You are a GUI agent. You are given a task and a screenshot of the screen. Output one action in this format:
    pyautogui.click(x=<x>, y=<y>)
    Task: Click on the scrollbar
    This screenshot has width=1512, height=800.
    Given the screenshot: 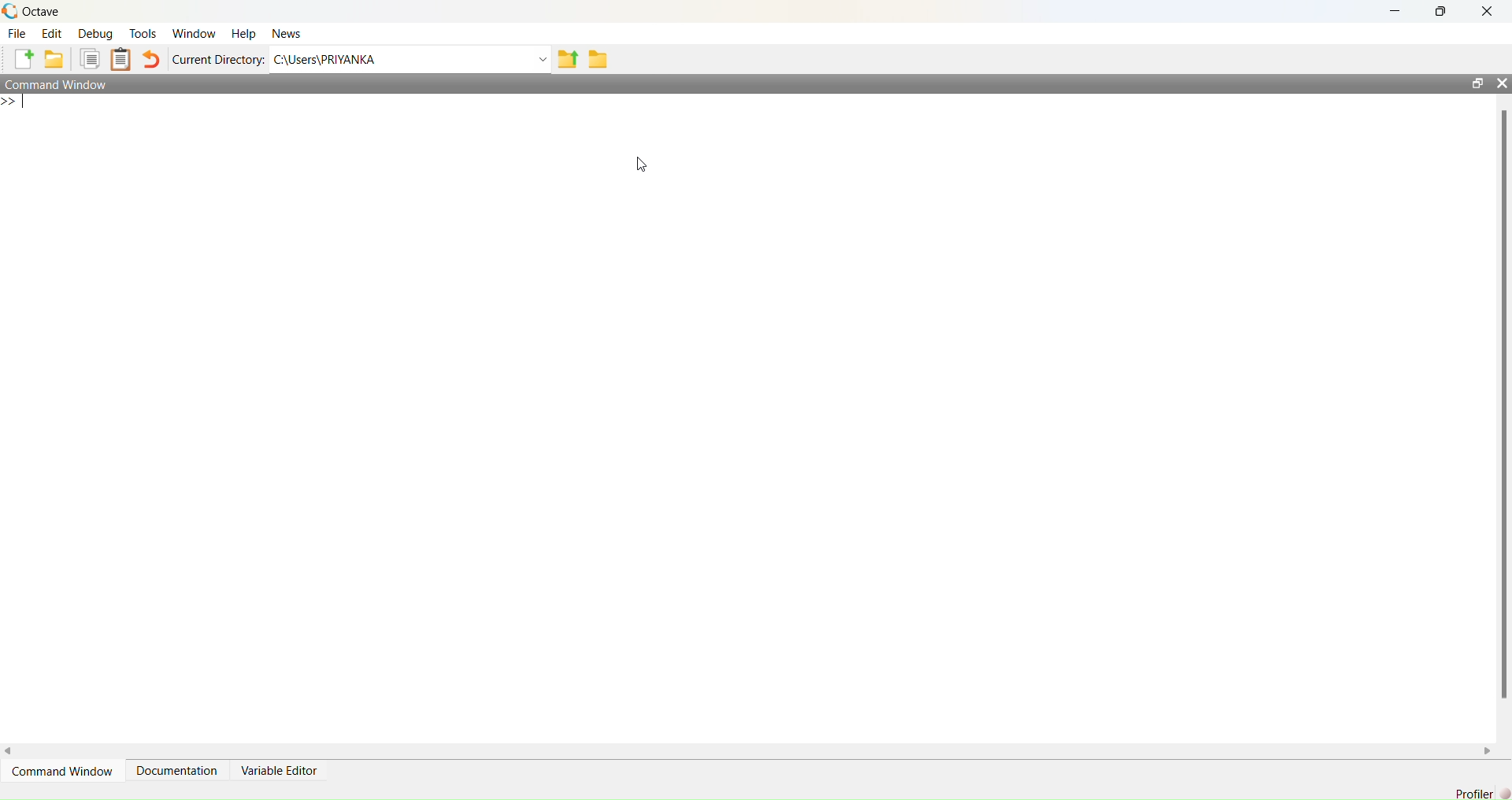 What is the action you would take?
    pyautogui.click(x=1503, y=409)
    